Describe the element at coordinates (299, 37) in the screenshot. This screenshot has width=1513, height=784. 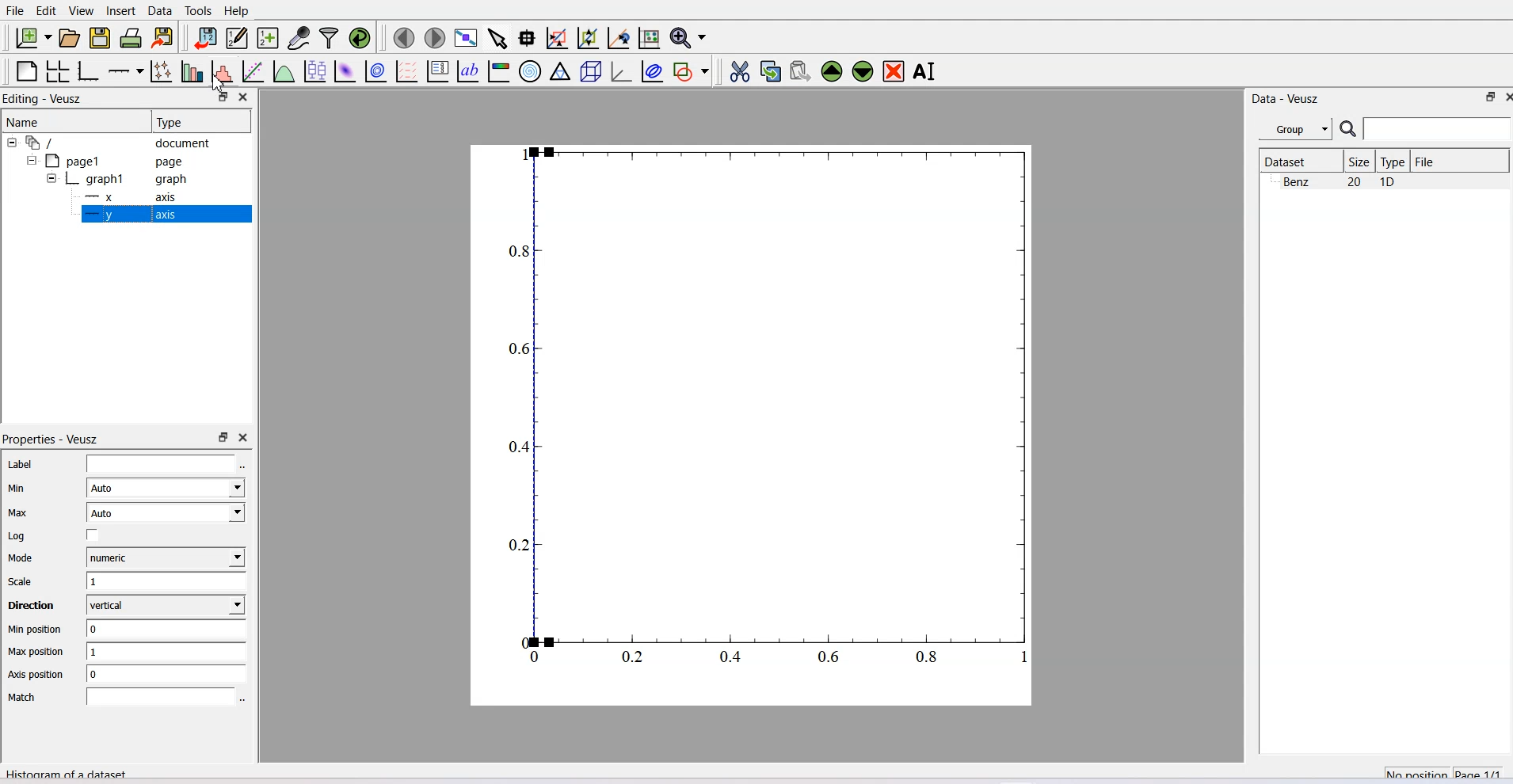
I see `Capture a dataset` at that location.